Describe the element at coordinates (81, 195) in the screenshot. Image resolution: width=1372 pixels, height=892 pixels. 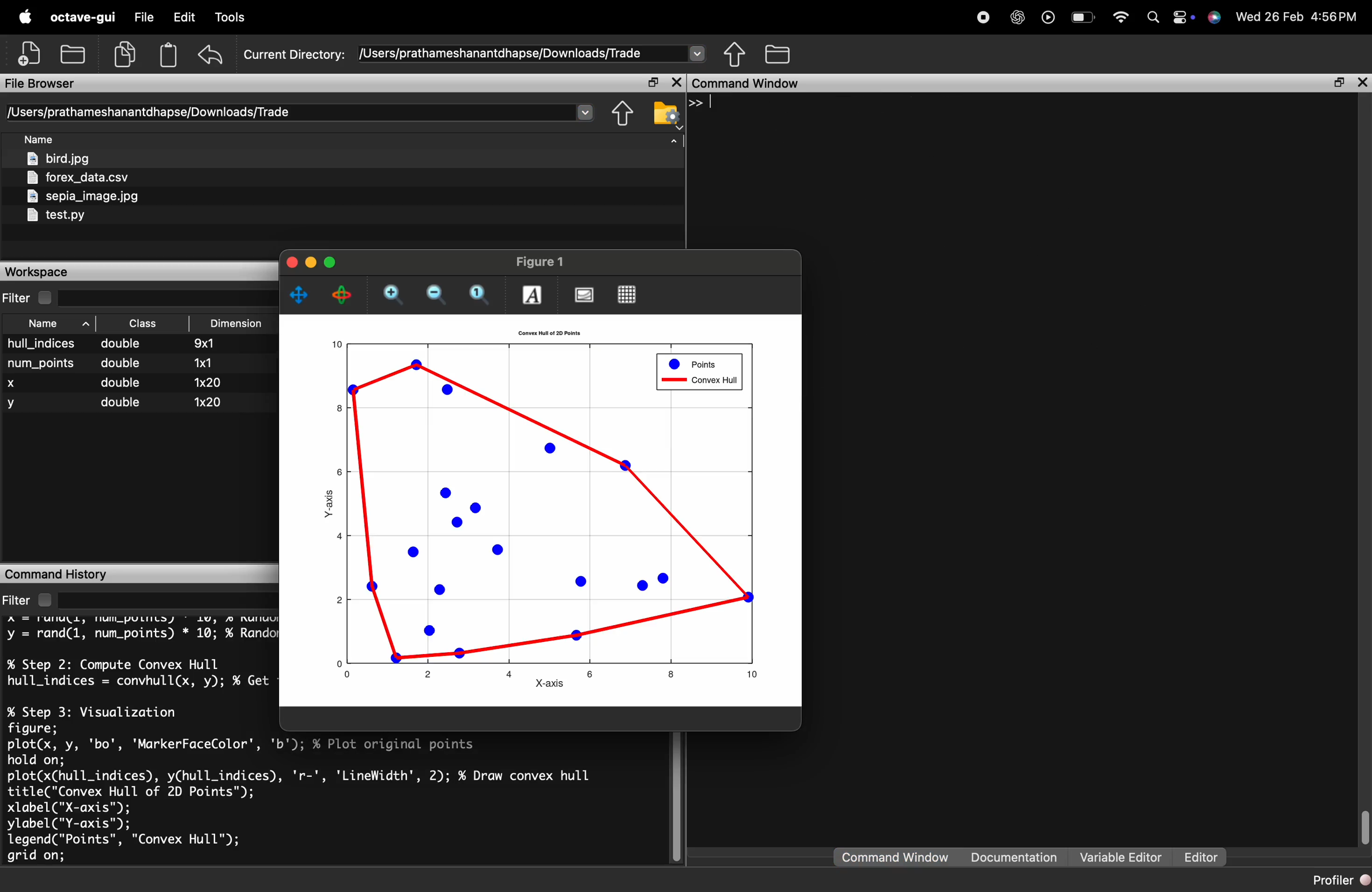
I see `sepia_image.jpg` at that location.